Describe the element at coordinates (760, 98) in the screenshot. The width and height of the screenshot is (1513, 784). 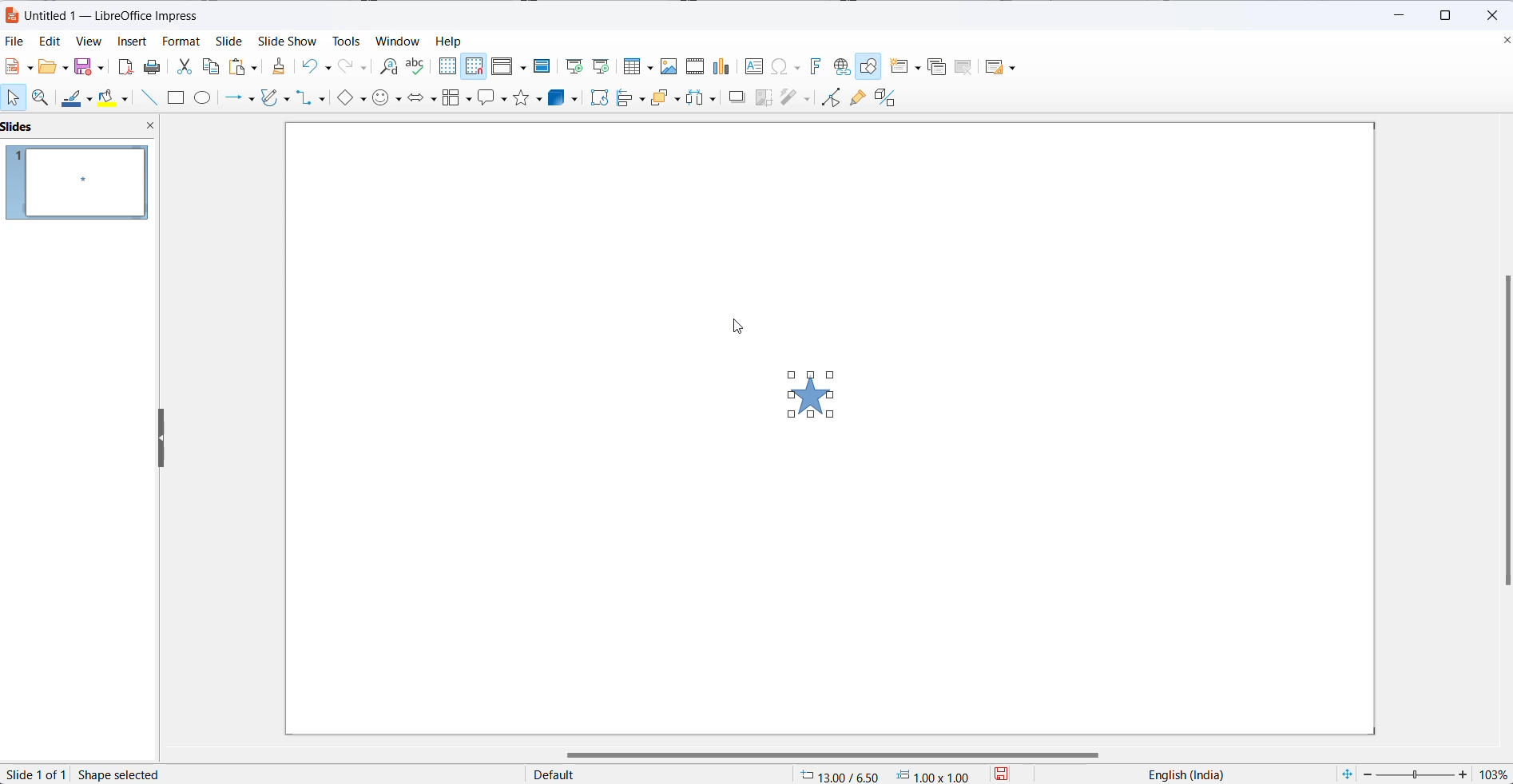
I see `crop image` at that location.